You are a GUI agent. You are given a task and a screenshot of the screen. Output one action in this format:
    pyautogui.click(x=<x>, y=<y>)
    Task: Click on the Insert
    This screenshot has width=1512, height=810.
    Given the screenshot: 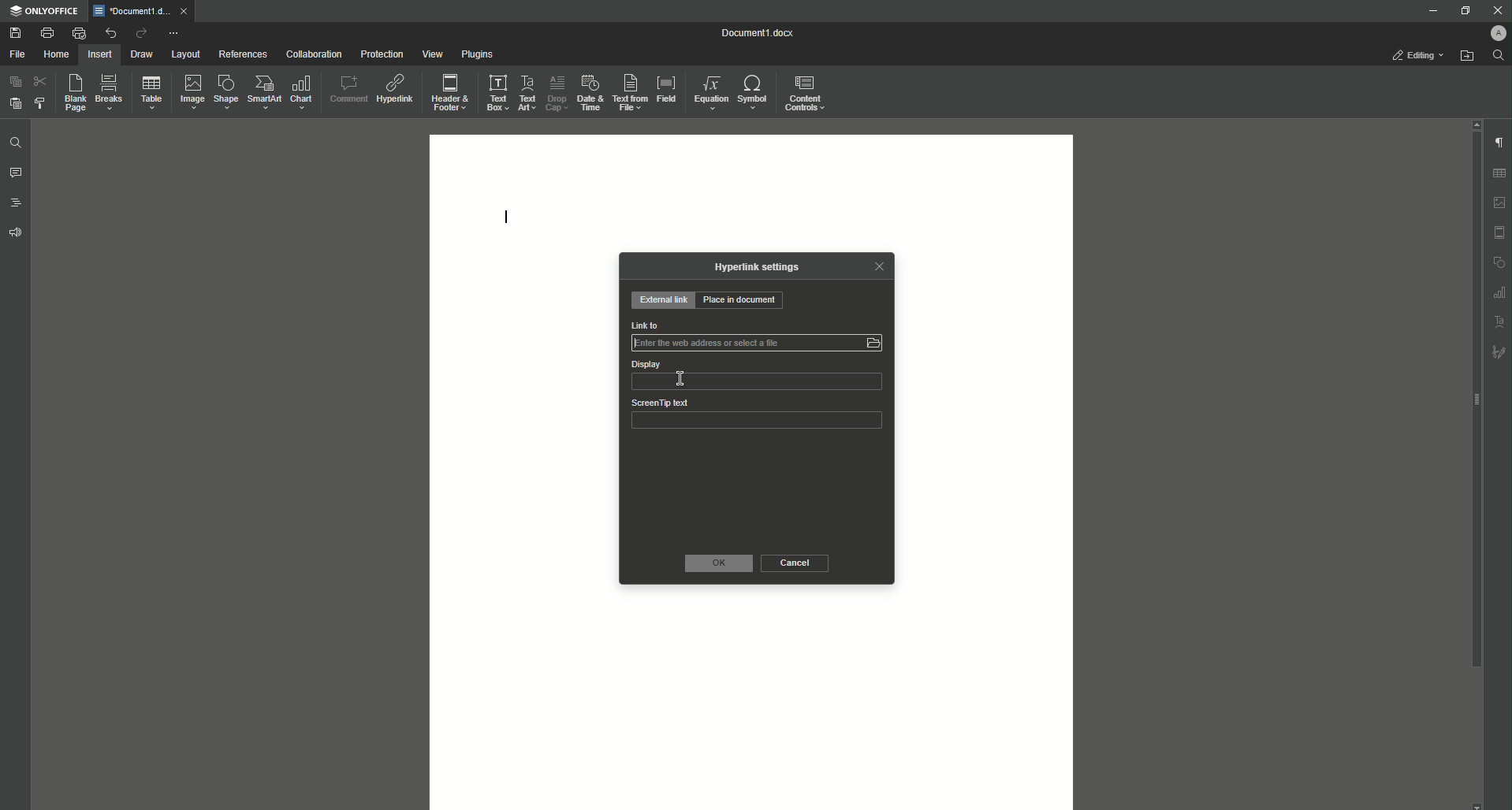 What is the action you would take?
    pyautogui.click(x=101, y=54)
    